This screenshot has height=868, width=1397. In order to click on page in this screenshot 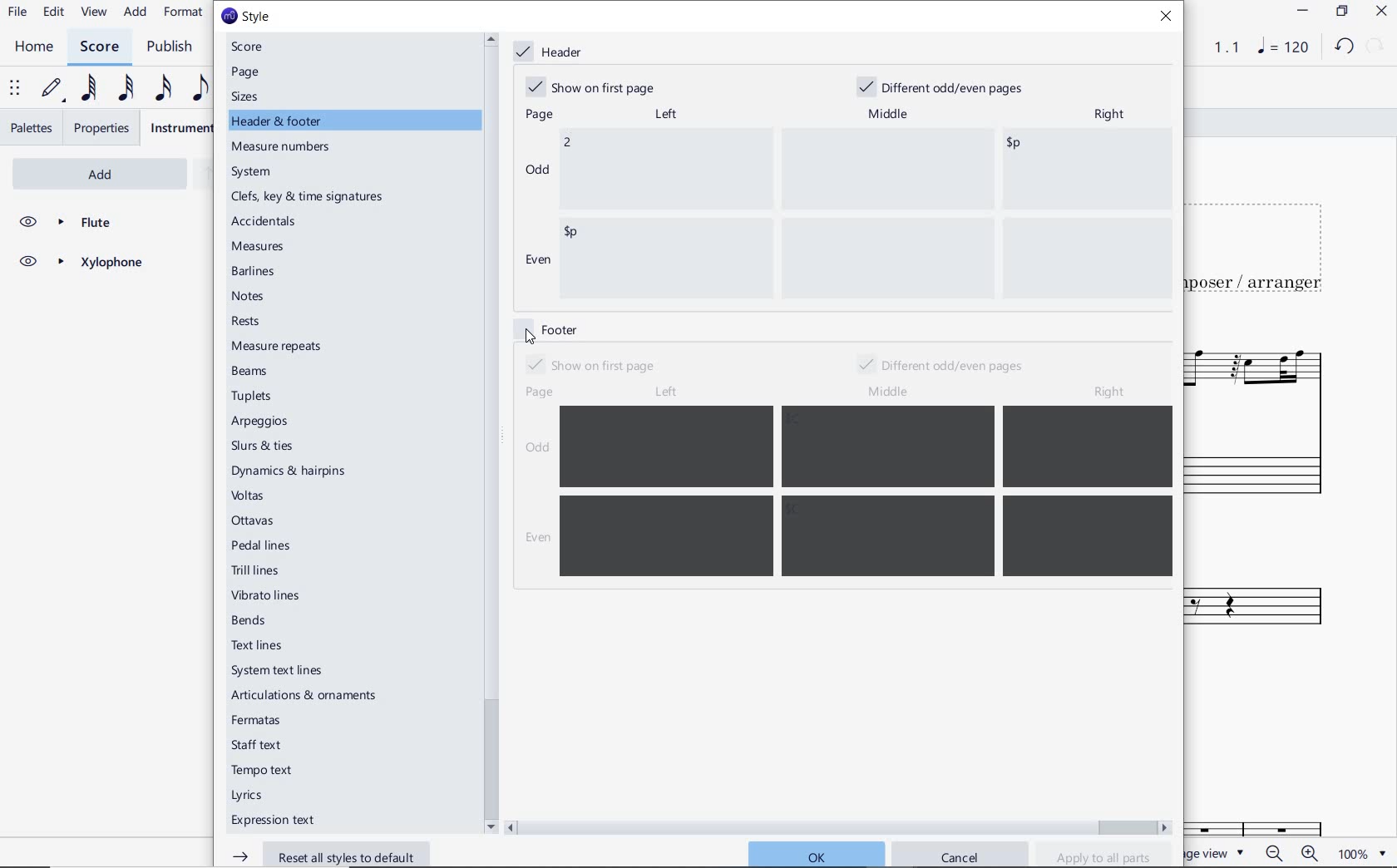, I will do `click(541, 392)`.